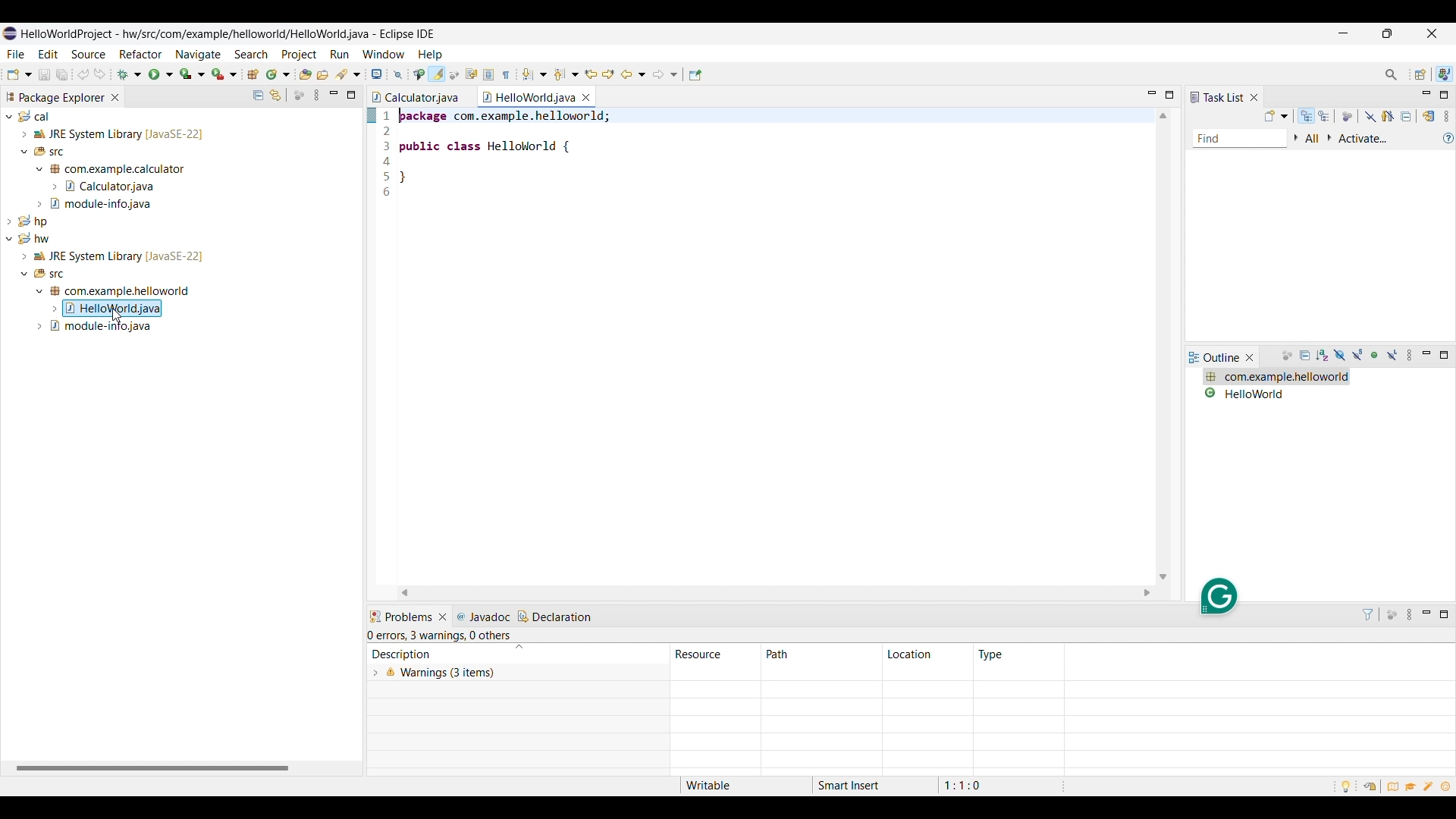 This screenshot has height=819, width=1456. Describe the element at coordinates (992, 654) in the screenshot. I see `Type` at that location.